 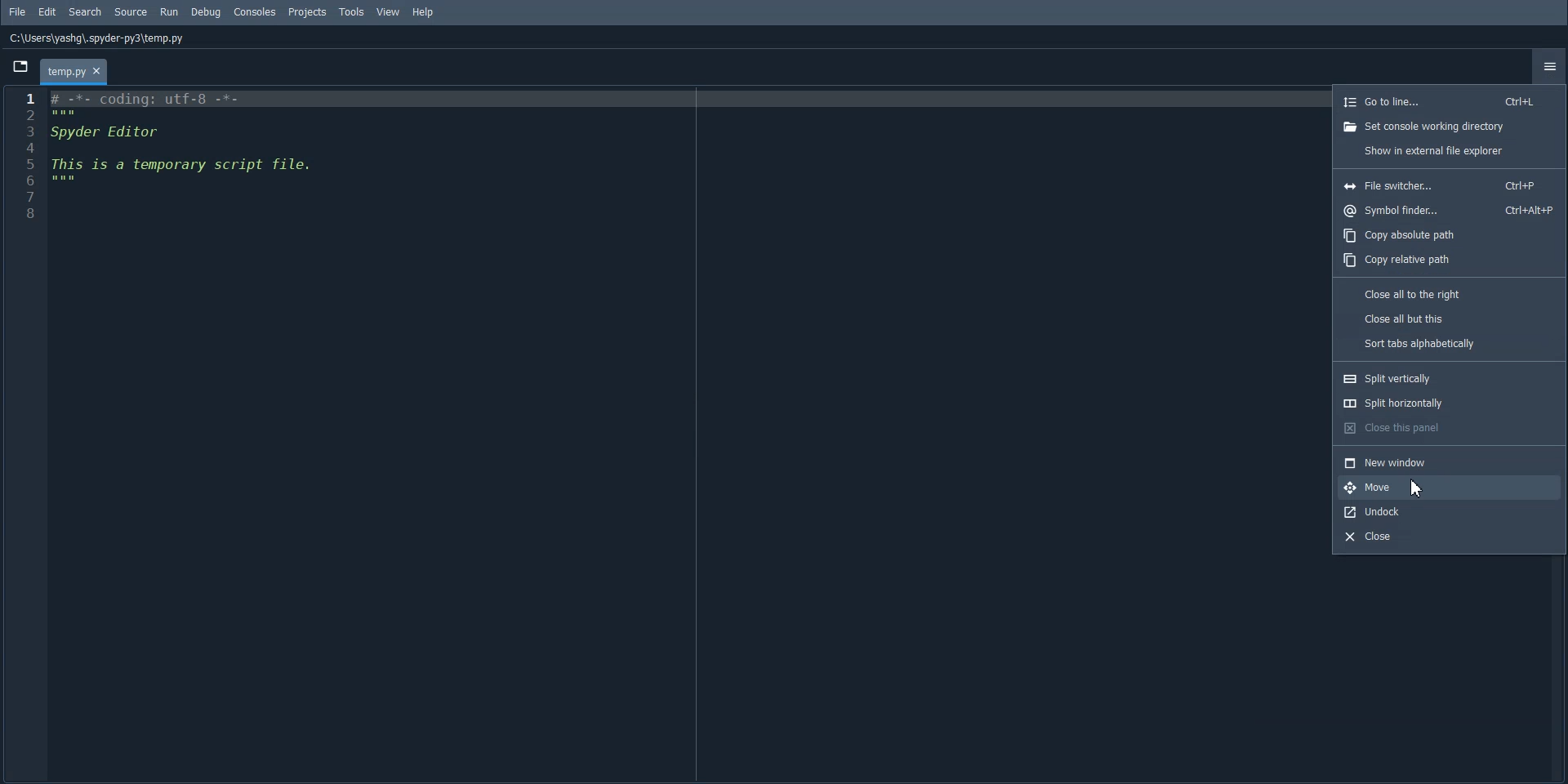 I want to click on temp.py, so click(x=73, y=73).